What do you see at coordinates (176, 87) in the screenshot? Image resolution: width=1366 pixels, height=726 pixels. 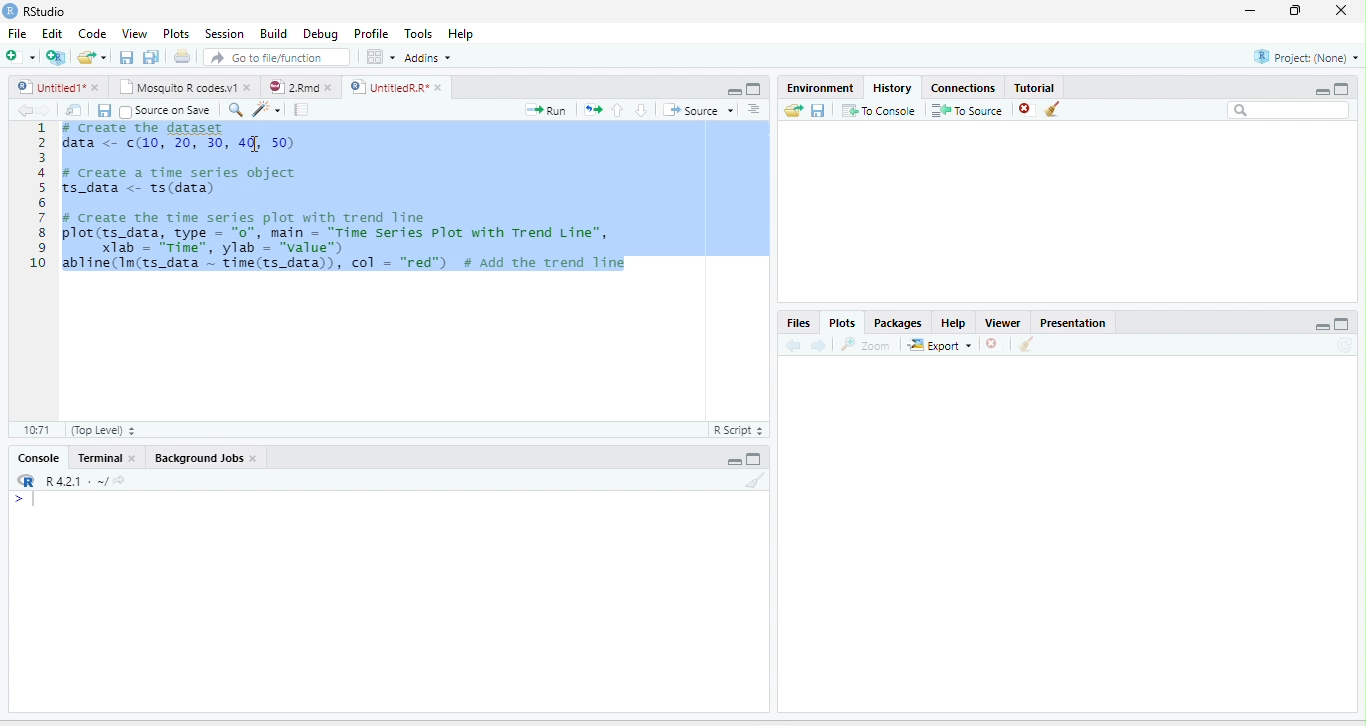 I see `Mosquito R codes.v1` at bounding box center [176, 87].